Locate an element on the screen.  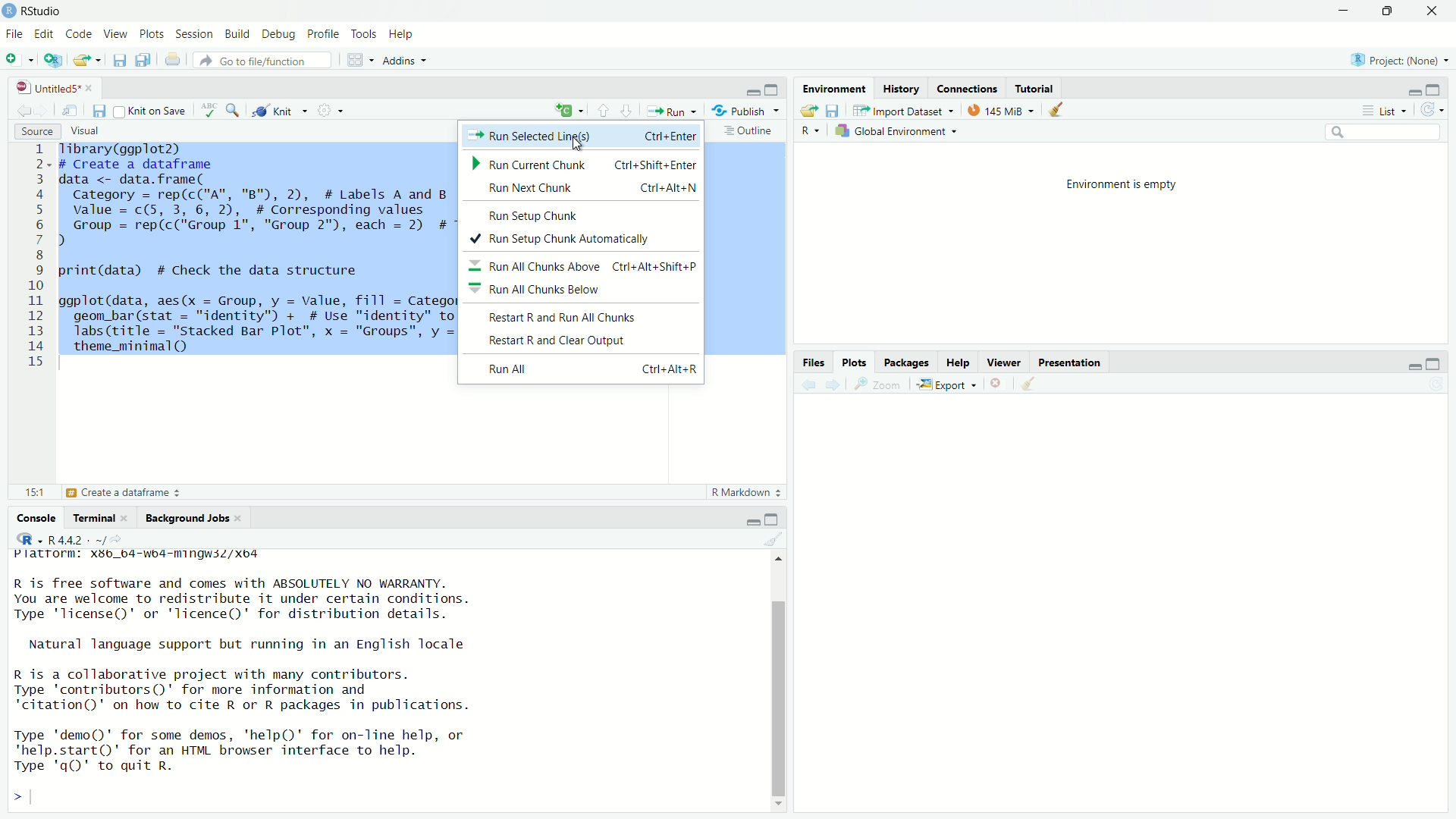
Minimize is located at coordinates (1412, 91).